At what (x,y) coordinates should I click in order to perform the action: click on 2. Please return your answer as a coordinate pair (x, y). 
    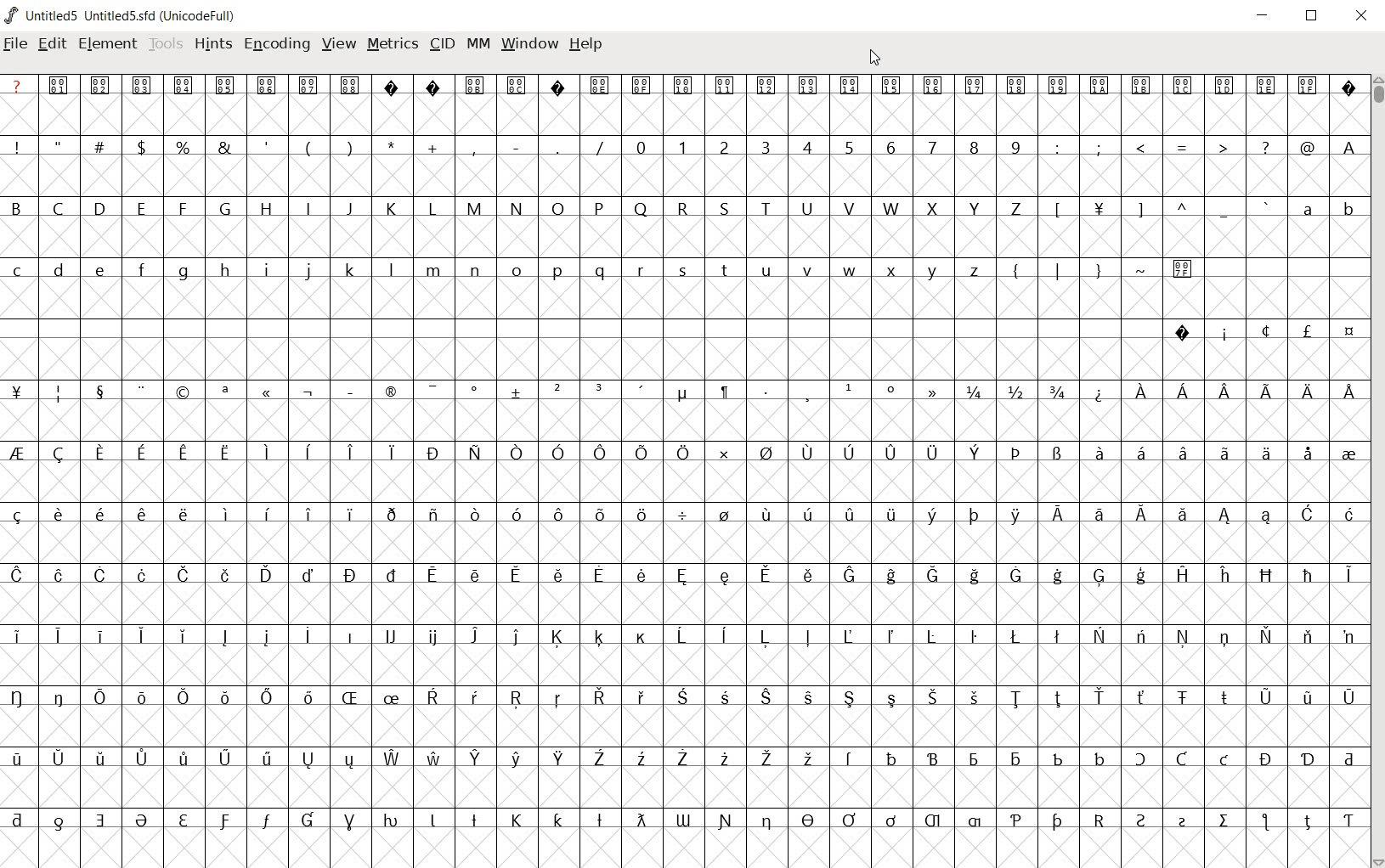
    Looking at the image, I should click on (725, 146).